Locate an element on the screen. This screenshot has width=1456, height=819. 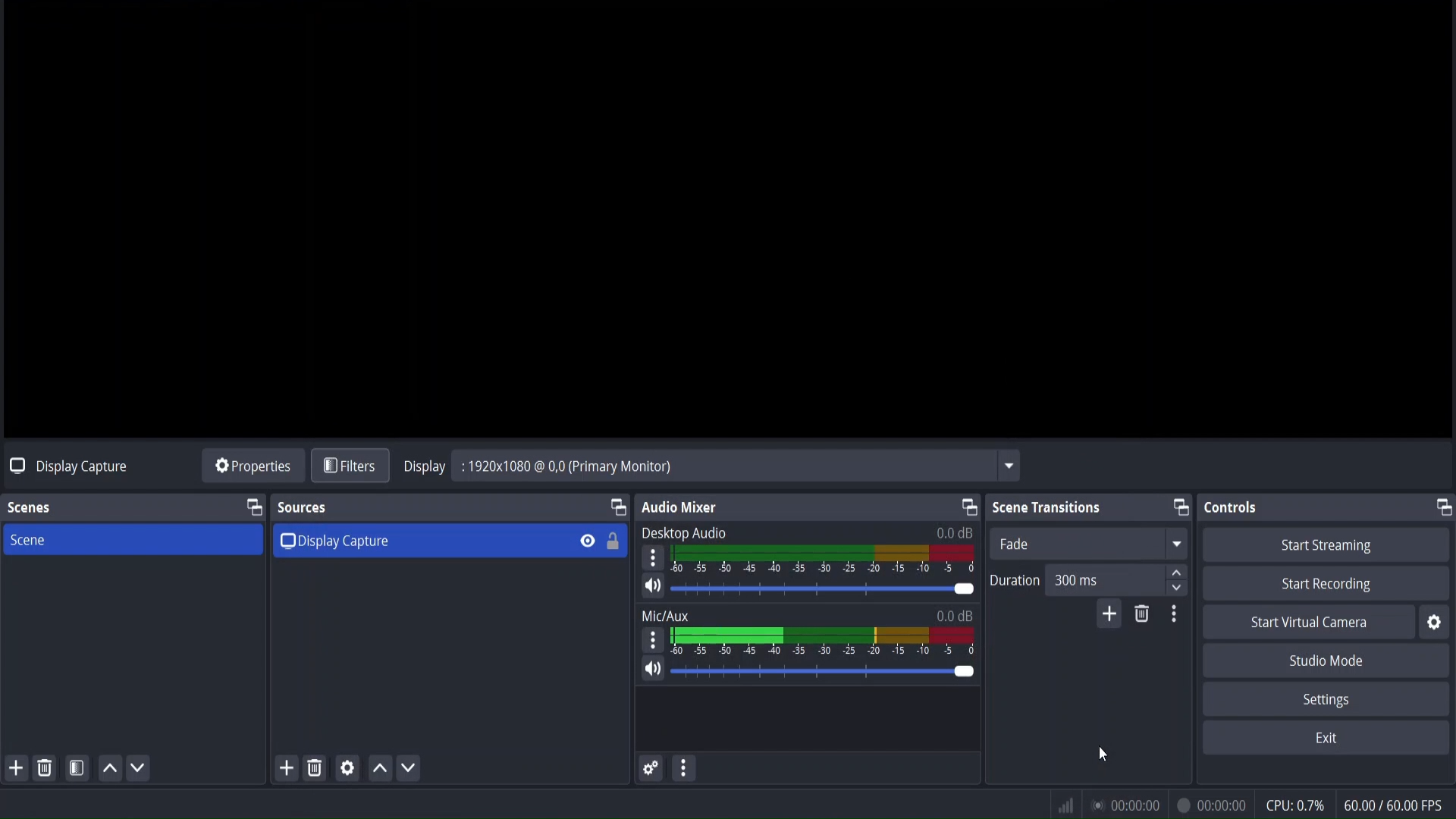
change tab layout is located at coordinates (1179, 508).